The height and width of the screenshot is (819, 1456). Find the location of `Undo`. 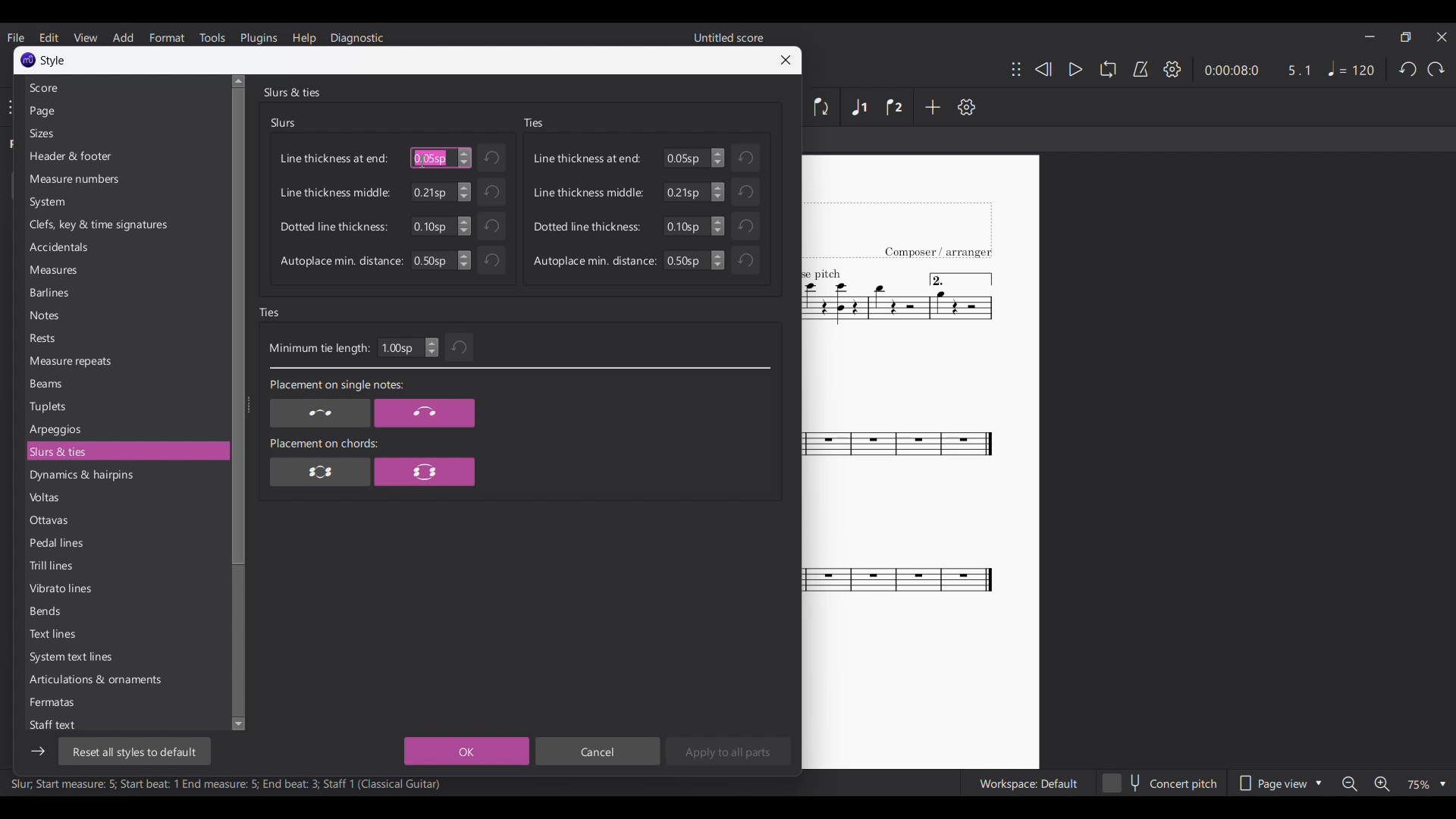

Undo is located at coordinates (745, 226).